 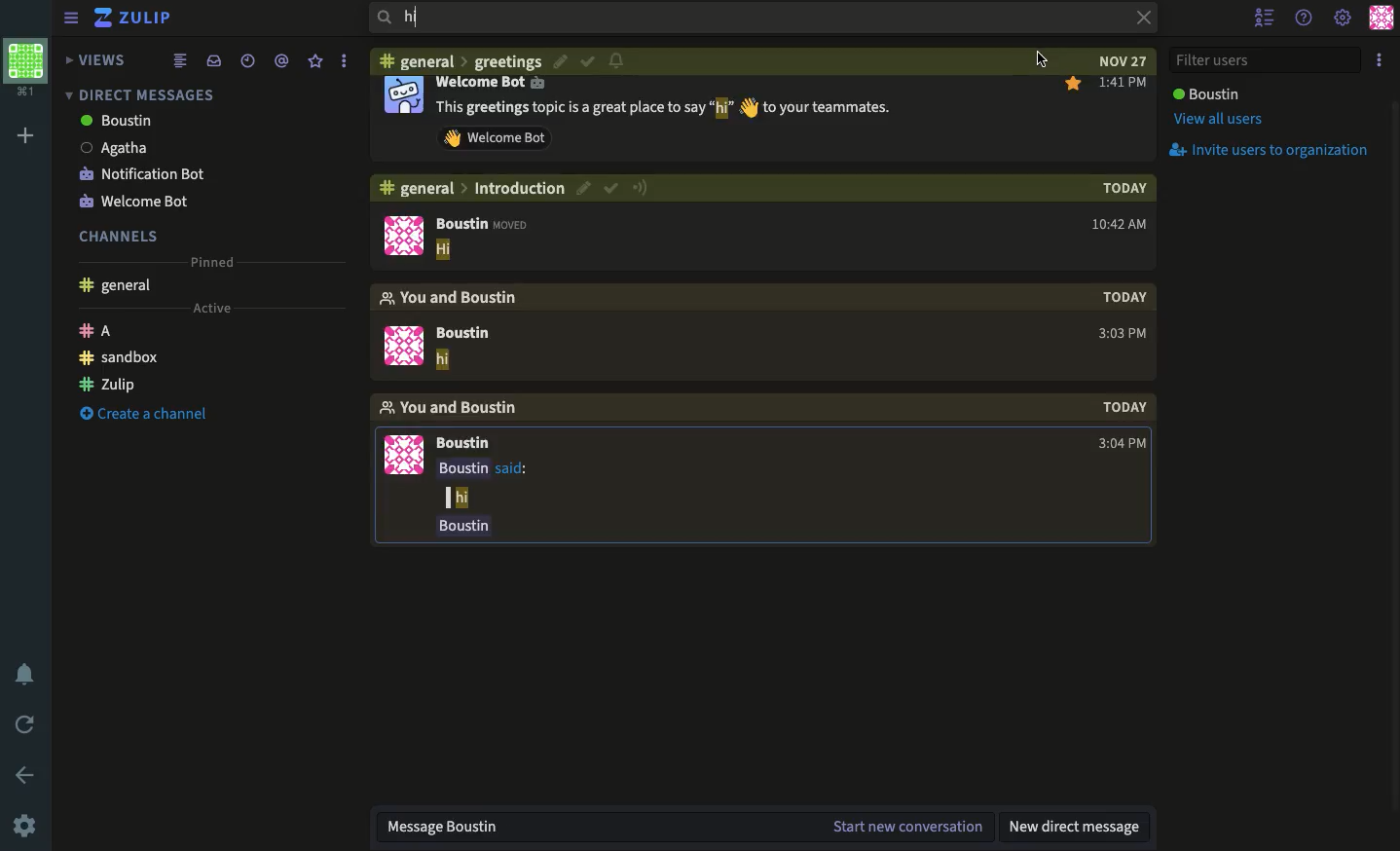 What do you see at coordinates (488, 223) in the screenshot?
I see `Boustin moved` at bounding box center [488, 223].